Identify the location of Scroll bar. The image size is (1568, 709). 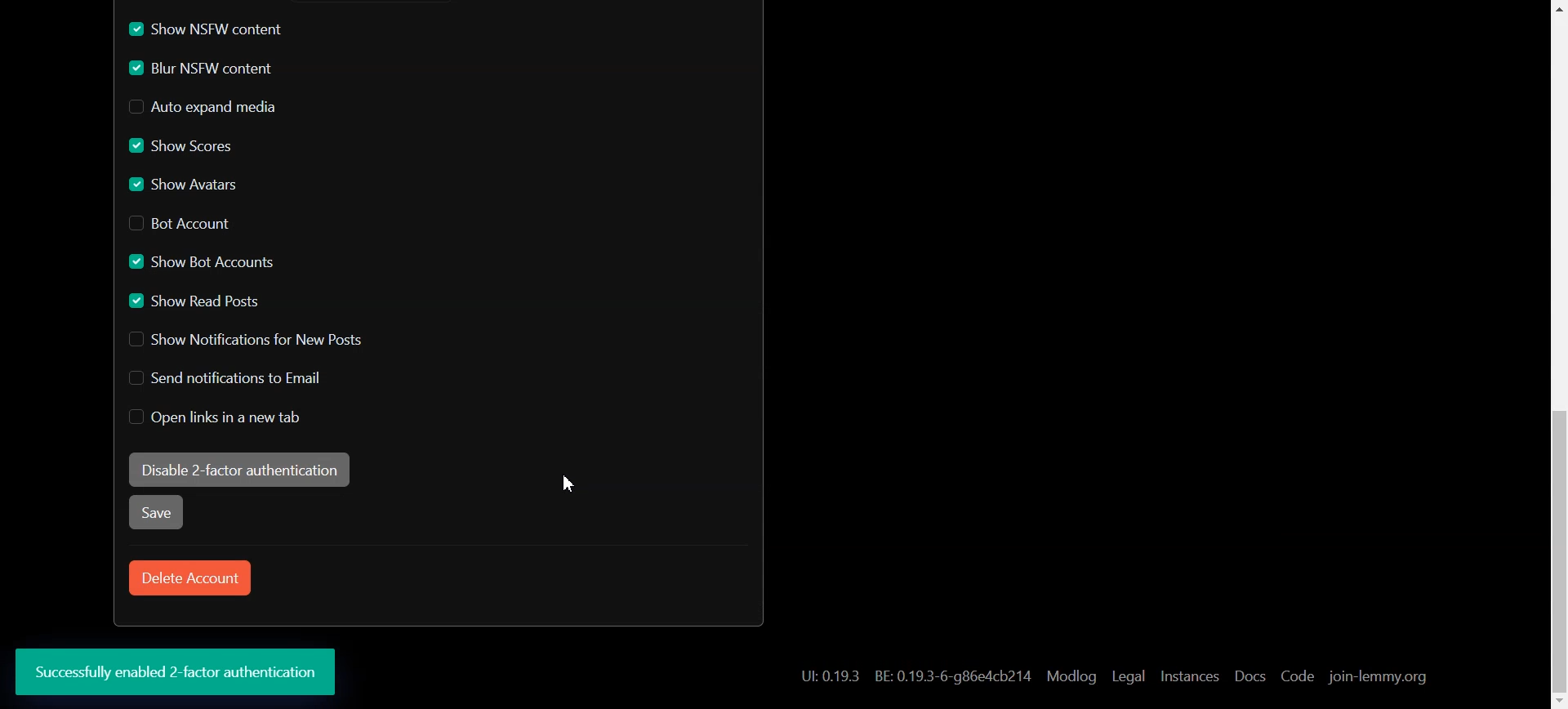
(1554, 354).